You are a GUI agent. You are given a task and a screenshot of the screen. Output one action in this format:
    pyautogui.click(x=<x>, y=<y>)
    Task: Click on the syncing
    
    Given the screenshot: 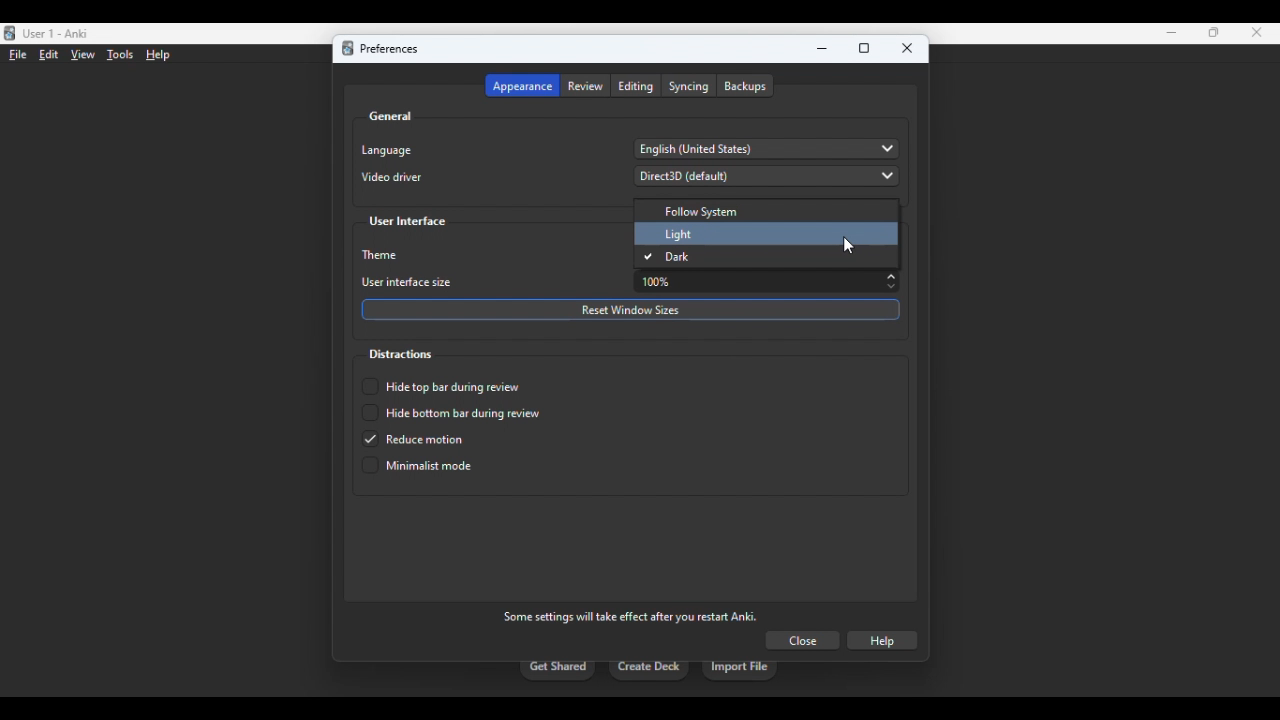 What is the action you would take?
    pyautogui.click(x=689, y=86)
    